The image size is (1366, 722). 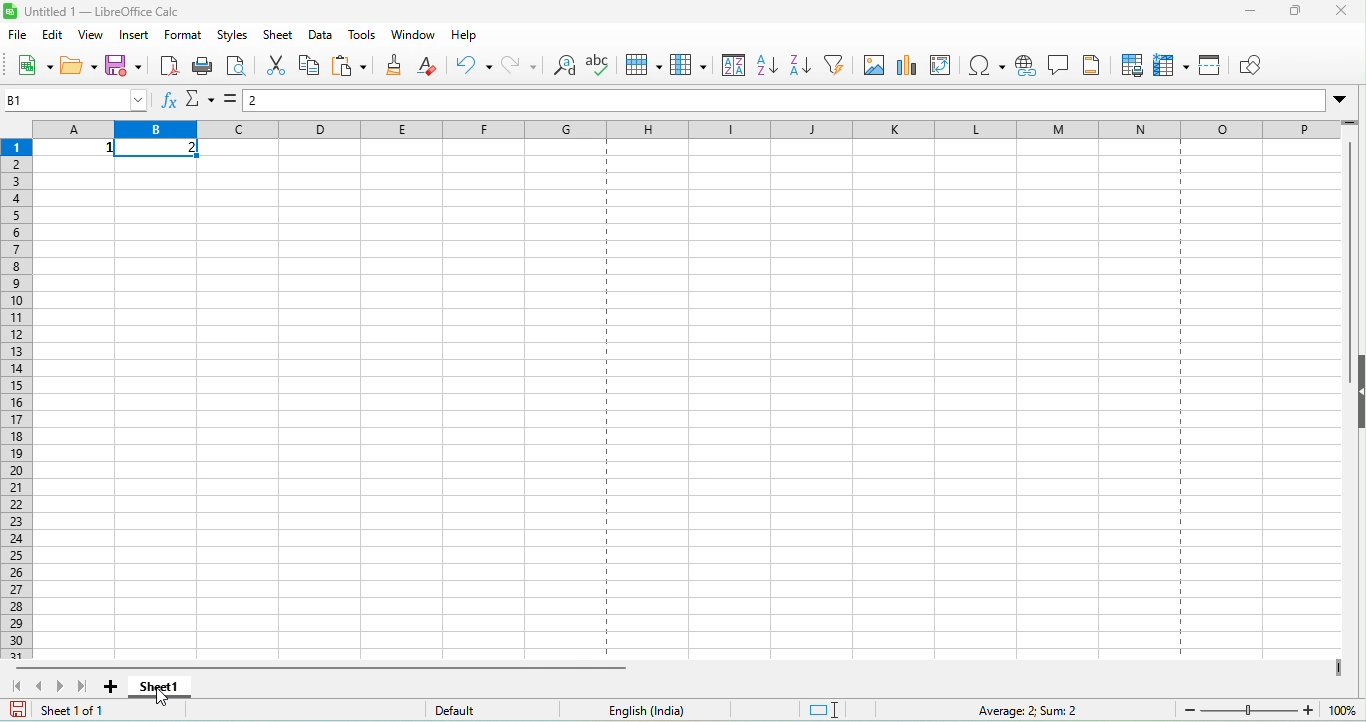 What do you see at coordinates (491, 709) in the screenshot?
I see `default` at bounding box center [491, 709].